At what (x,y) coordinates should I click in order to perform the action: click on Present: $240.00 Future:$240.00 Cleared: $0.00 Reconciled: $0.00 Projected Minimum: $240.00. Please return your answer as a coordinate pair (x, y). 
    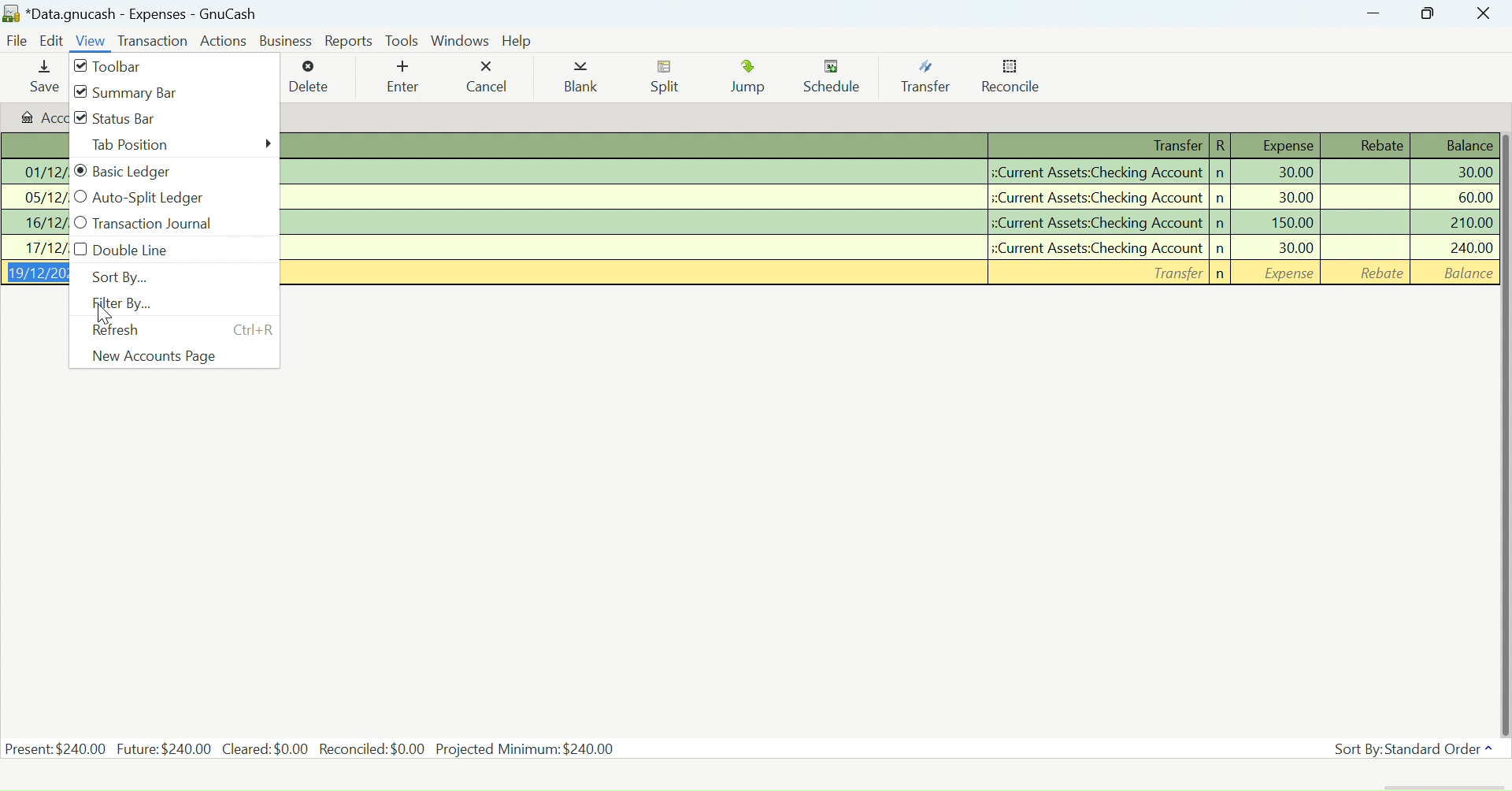
    Looking at the image, I should click on (312, 748).